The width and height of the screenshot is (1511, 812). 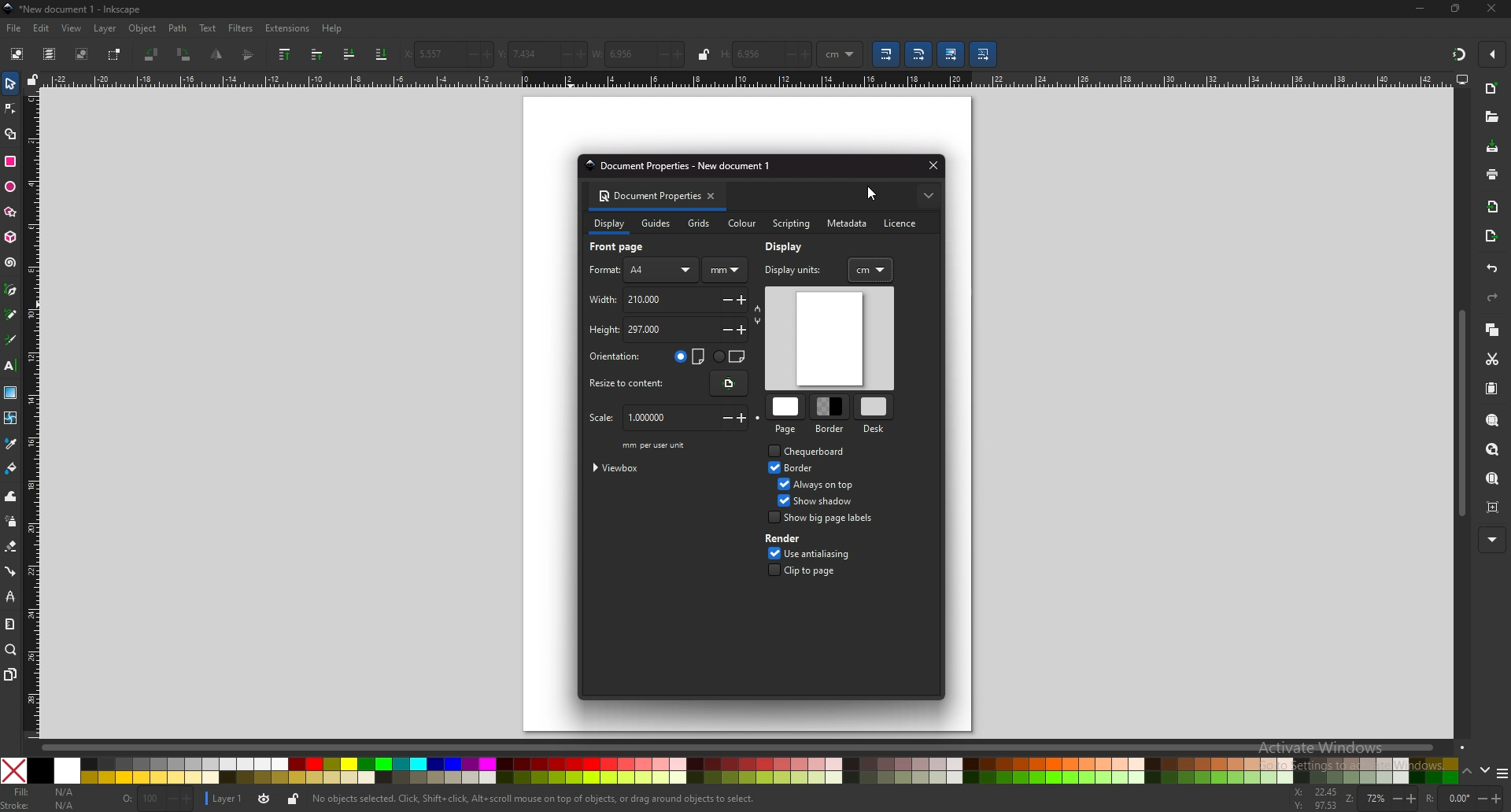 I want to click on mm per user unit, so click(x=656, y=445).